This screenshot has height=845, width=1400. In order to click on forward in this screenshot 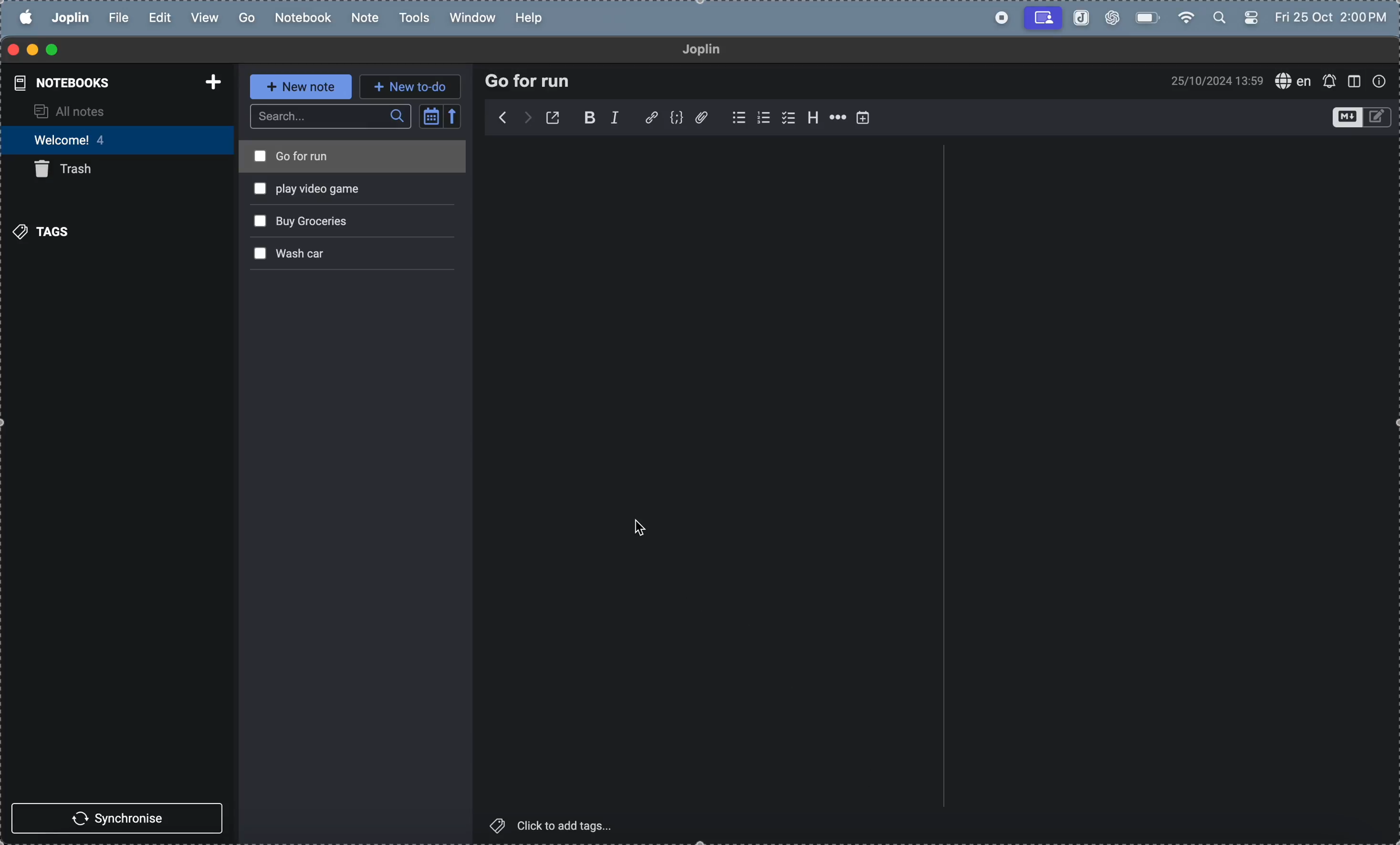, I will do `click(528, 117)`.